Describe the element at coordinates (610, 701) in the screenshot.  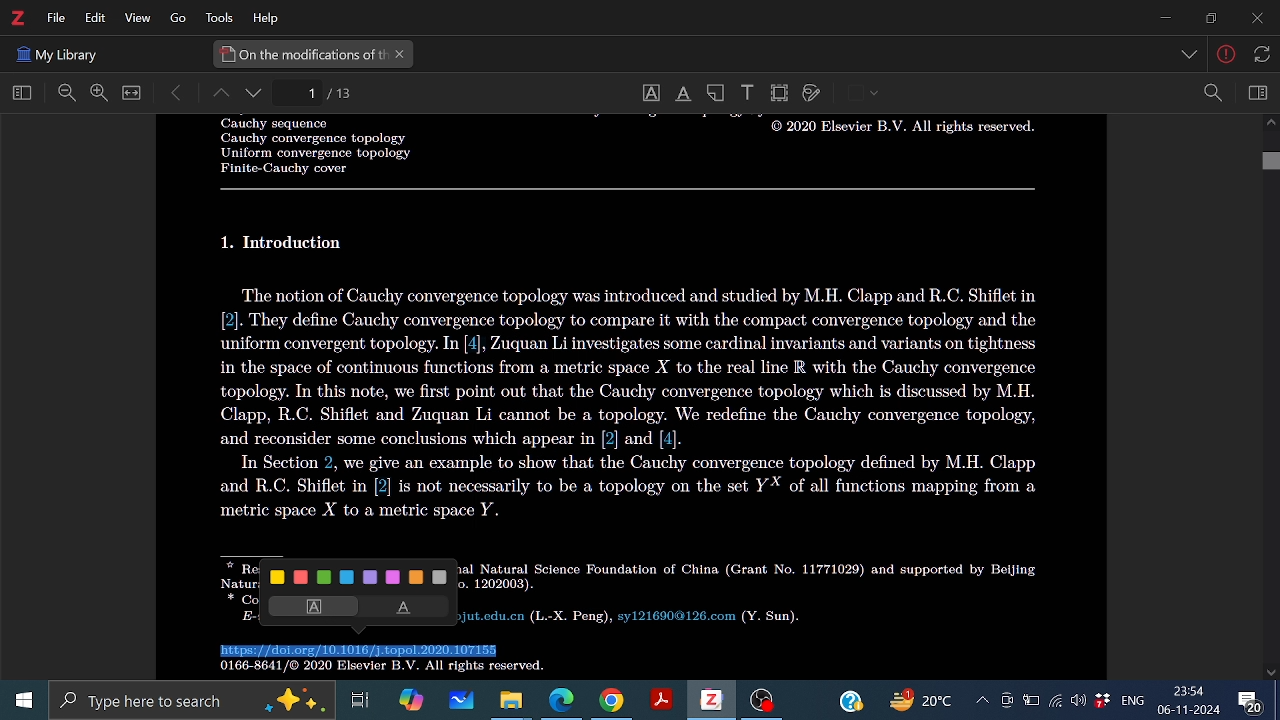
I see `Google chorme` at that location.